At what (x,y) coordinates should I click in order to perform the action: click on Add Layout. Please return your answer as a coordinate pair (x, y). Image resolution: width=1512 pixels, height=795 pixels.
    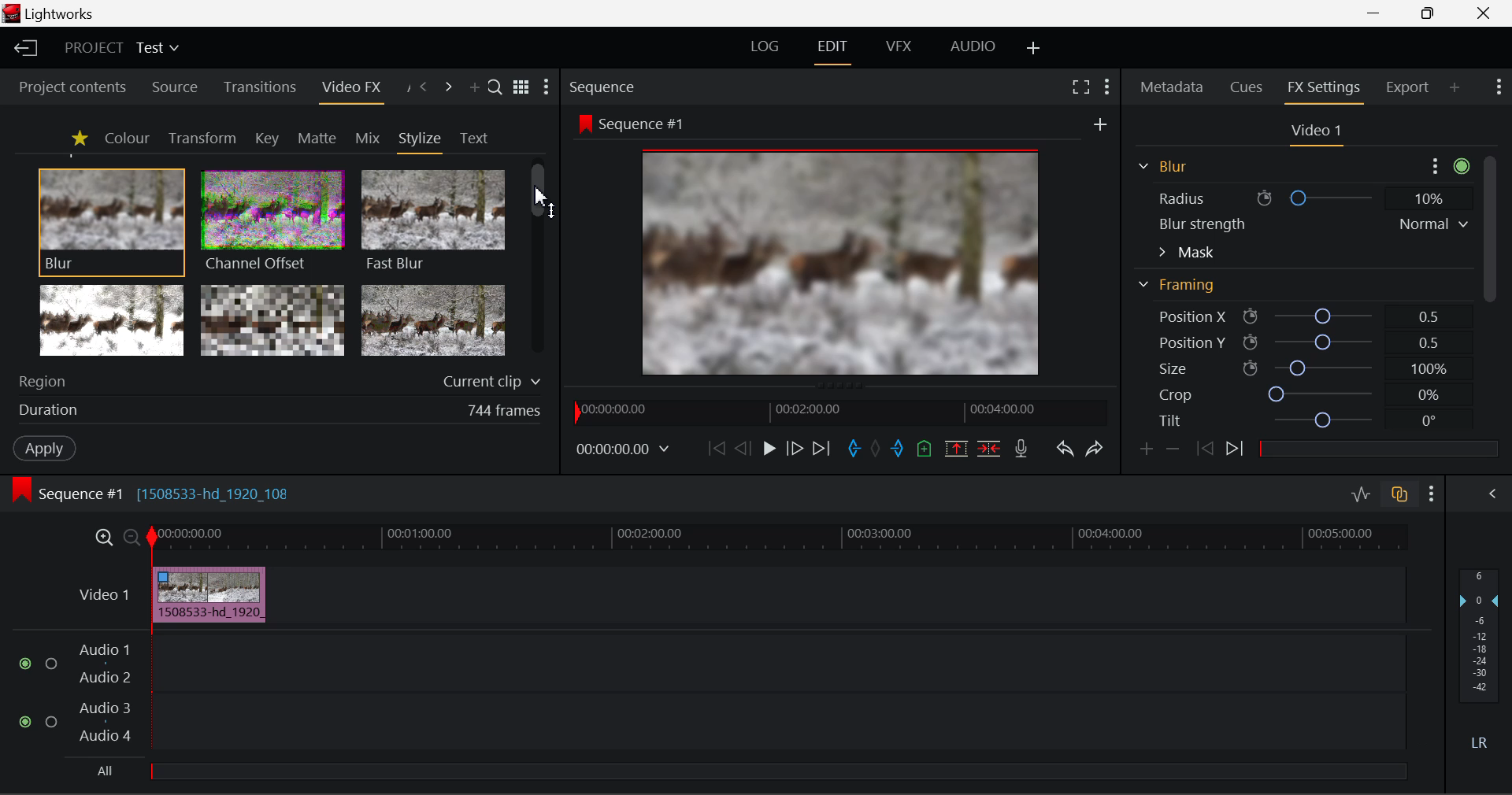
    Looking at the image, I should click on (1034, 48).